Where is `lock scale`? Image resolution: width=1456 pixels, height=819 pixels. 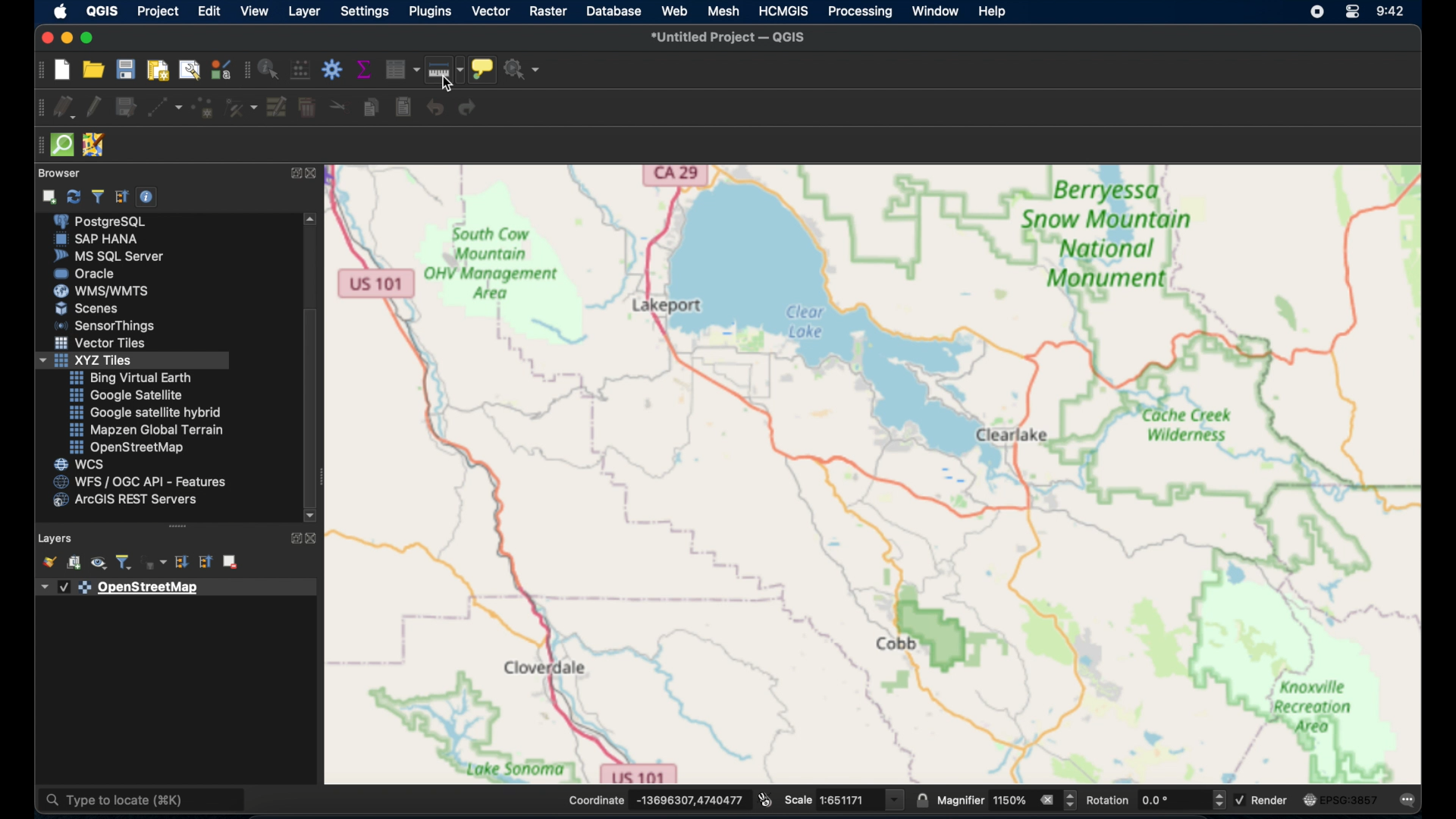 lock scale is located at coordinates (921, 801).